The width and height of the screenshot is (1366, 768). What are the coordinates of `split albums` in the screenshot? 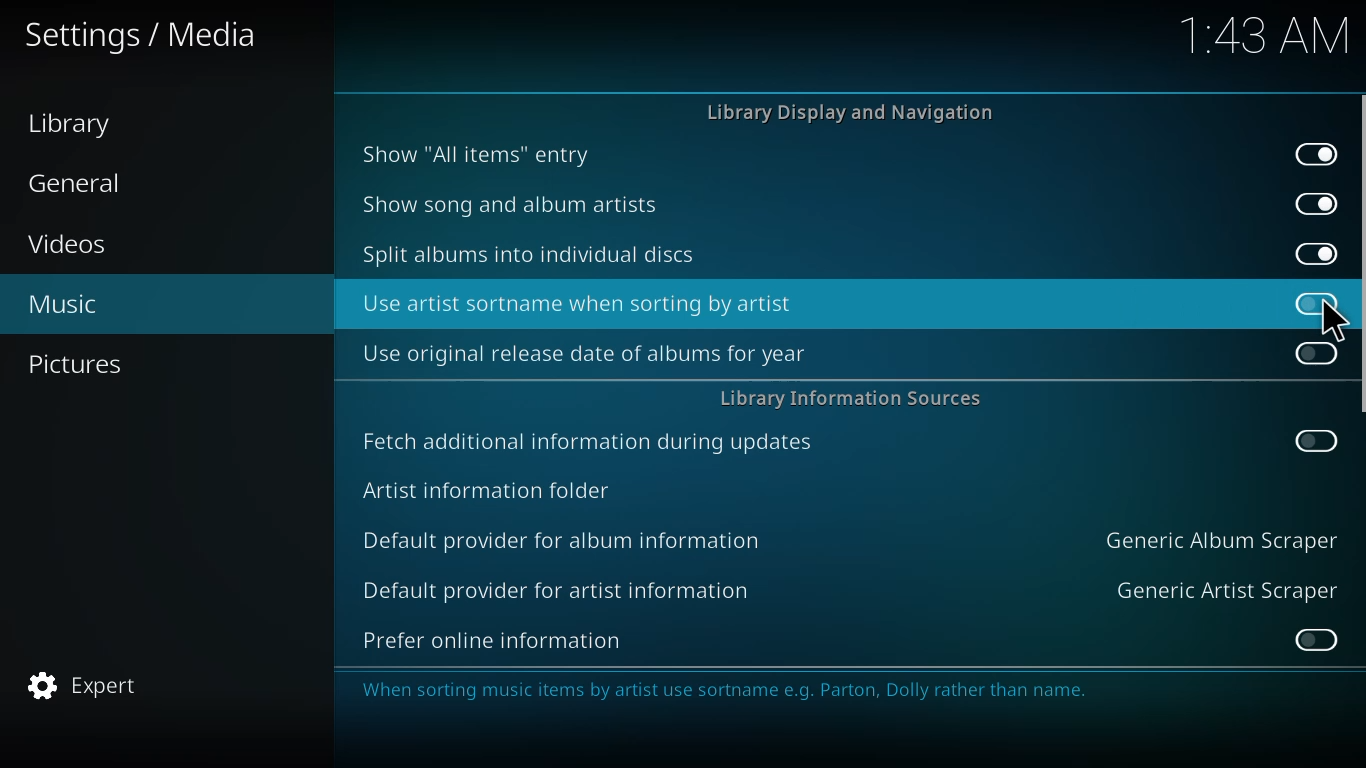 It's located at (530, 255).